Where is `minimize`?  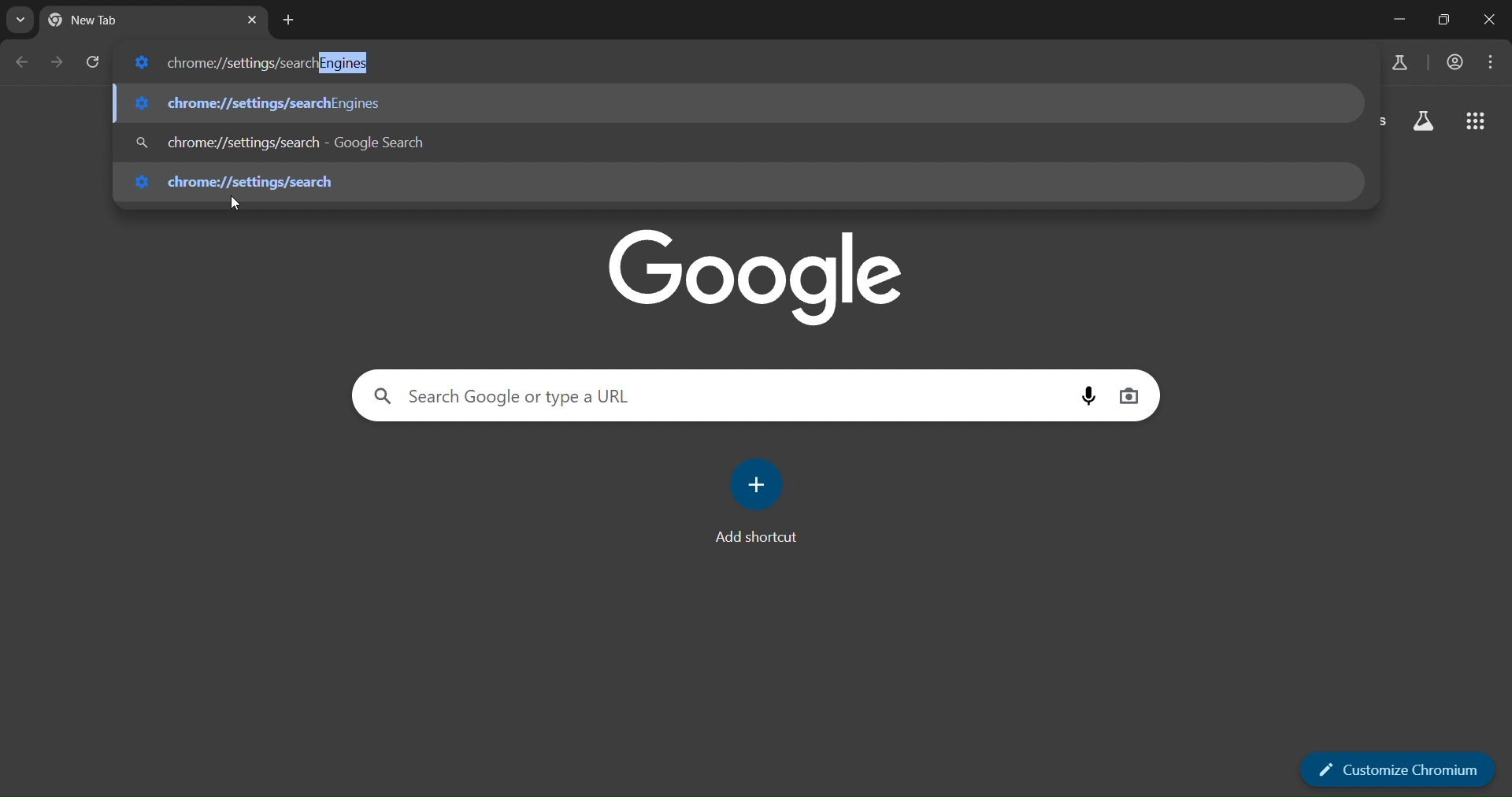 minimize is located at coordinates (1399, 18).